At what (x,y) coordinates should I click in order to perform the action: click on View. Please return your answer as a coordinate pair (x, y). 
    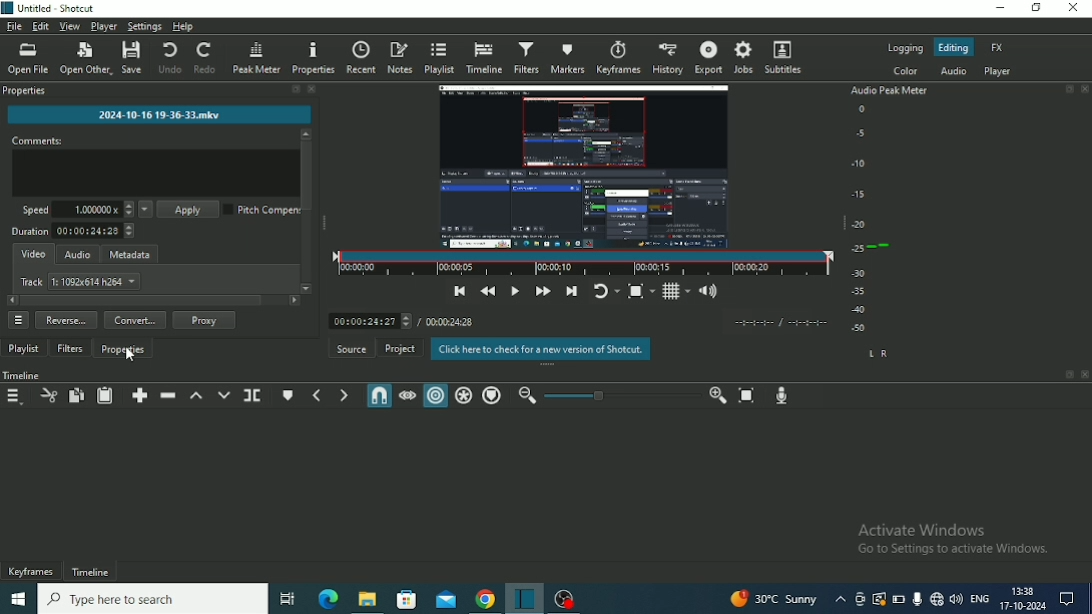
    Looking at the image, I should click on (68, 26).